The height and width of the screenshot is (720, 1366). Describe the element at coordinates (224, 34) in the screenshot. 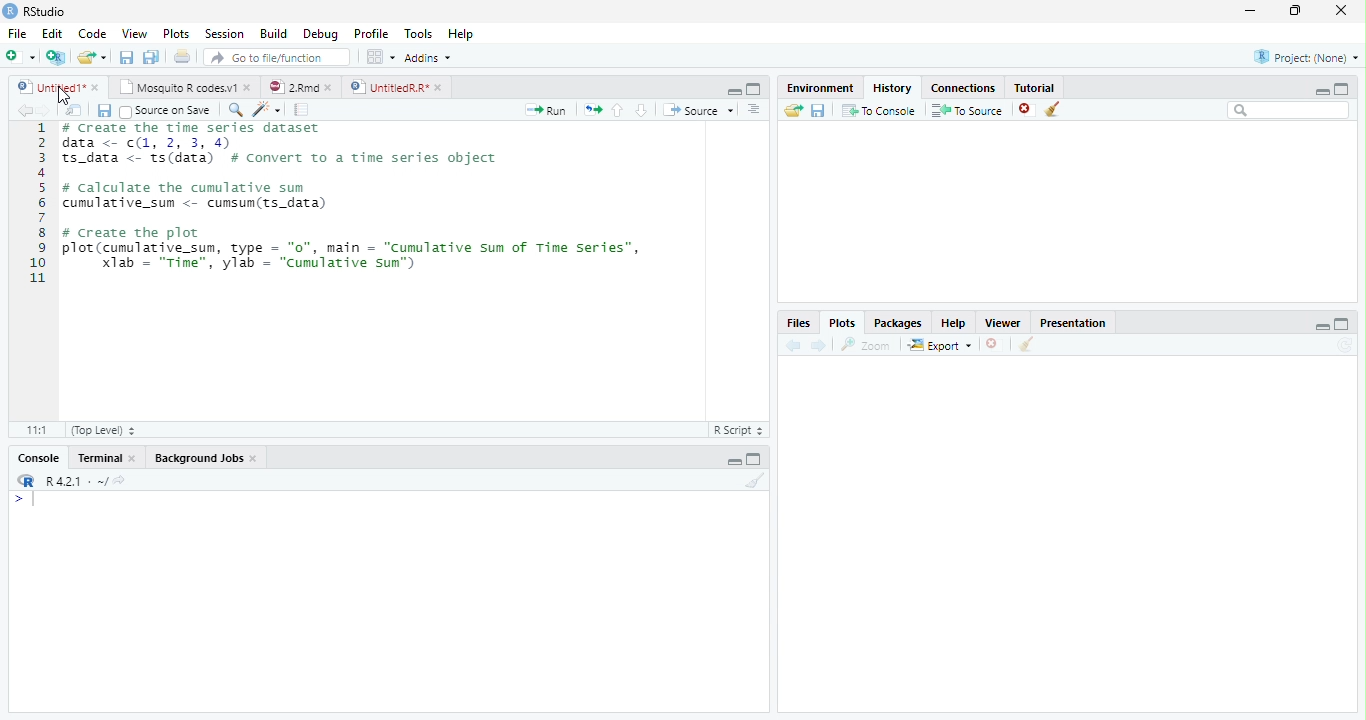

I see `Session` at that location.